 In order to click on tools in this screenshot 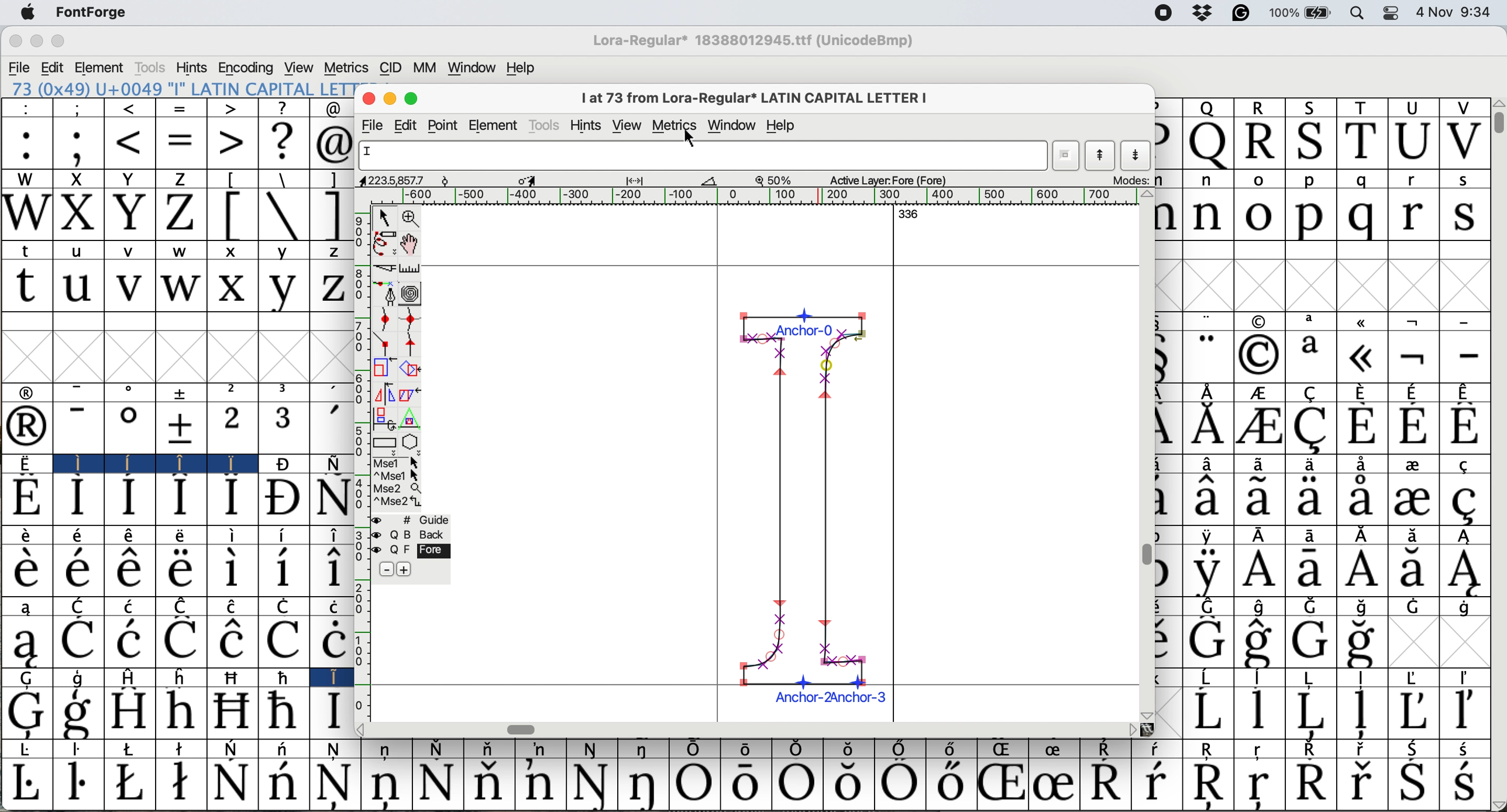, I will do `click(543, 125)`.